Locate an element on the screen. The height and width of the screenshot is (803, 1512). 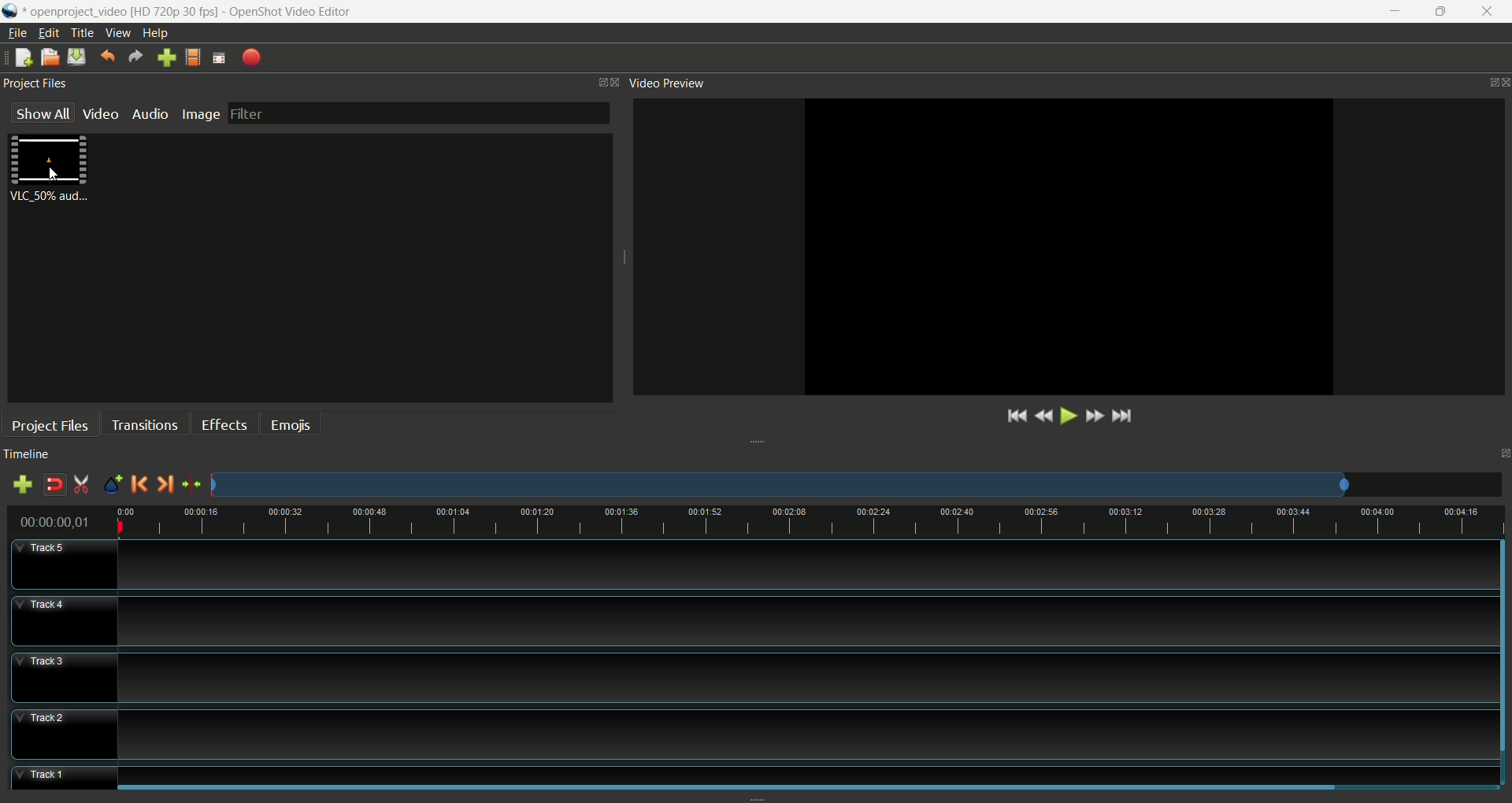
Timeline is located at coordinates (810, 523).